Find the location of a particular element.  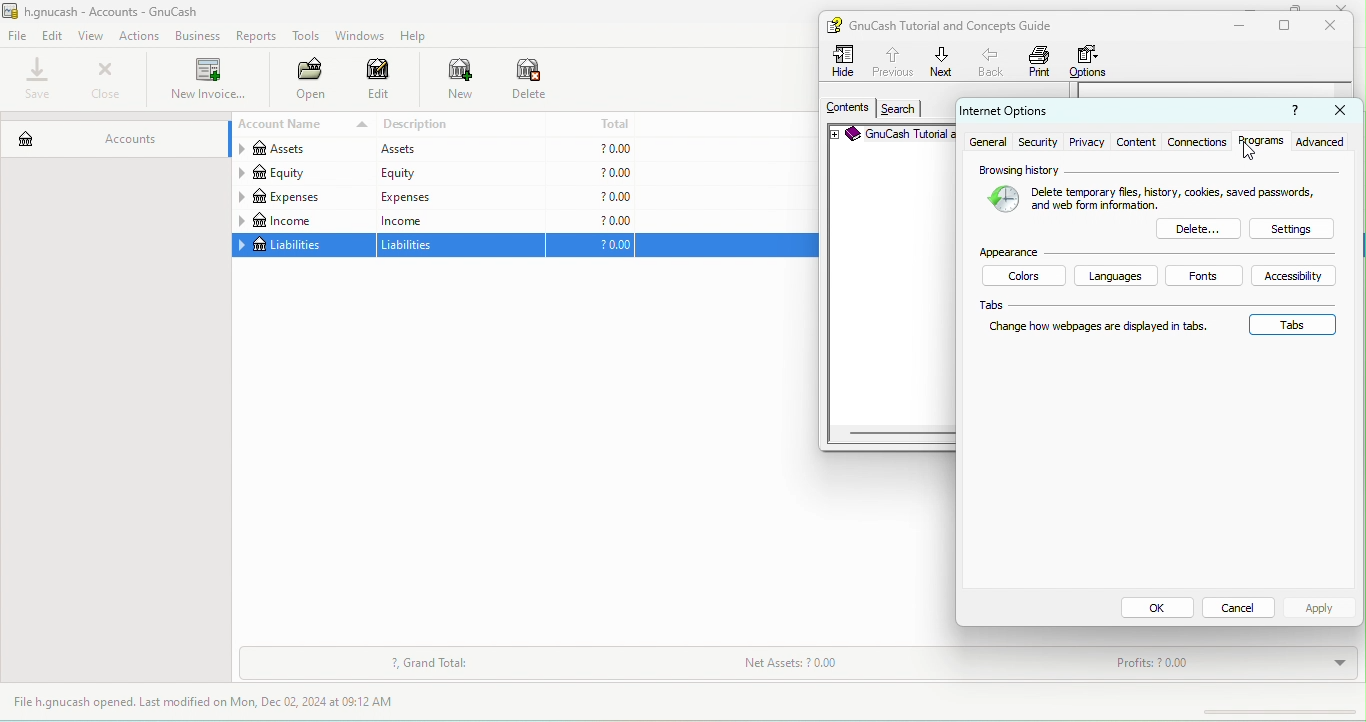

search is located at coordinates (898, 109).